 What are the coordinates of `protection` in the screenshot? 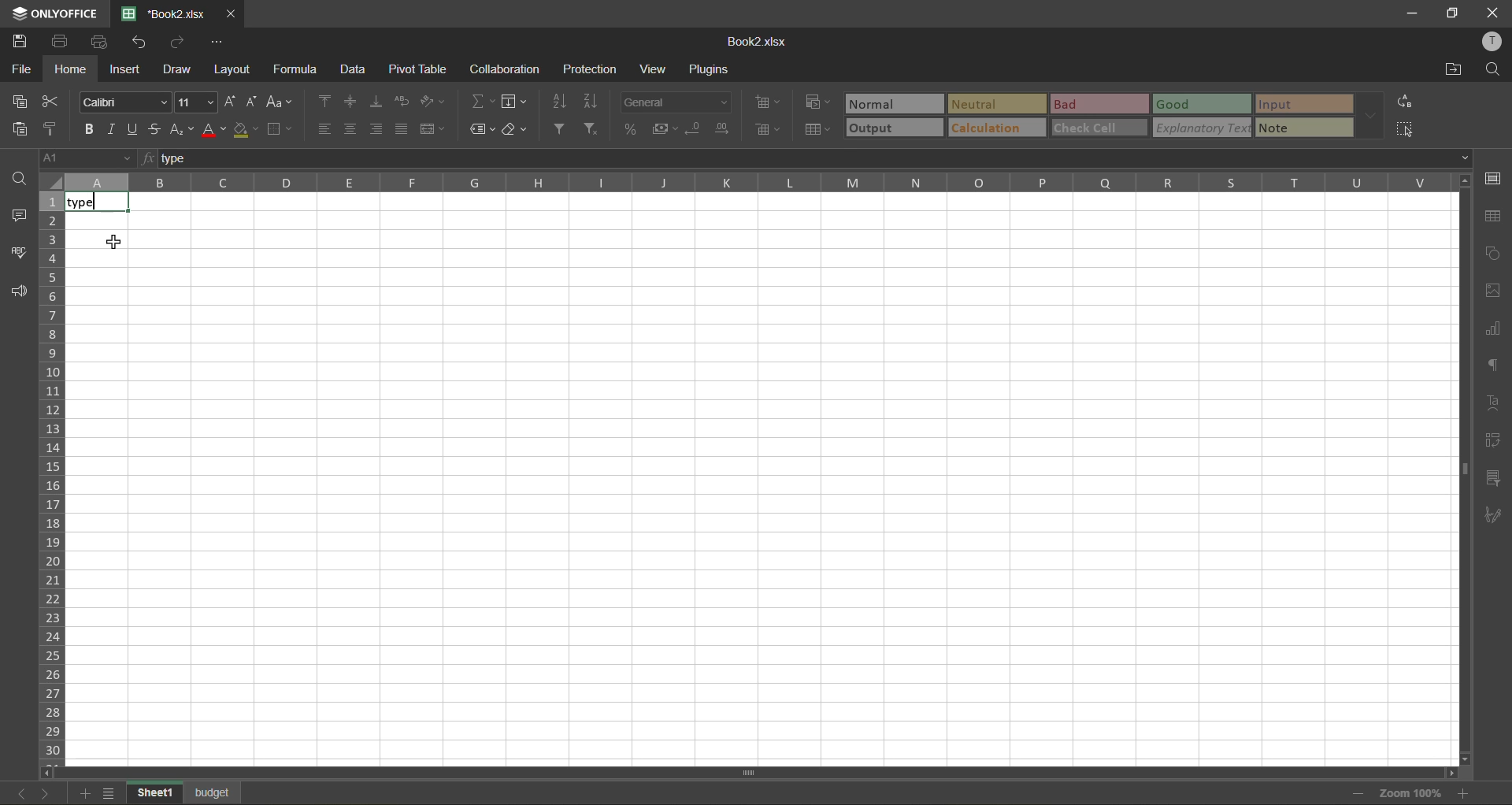 It's located at (589, 71).